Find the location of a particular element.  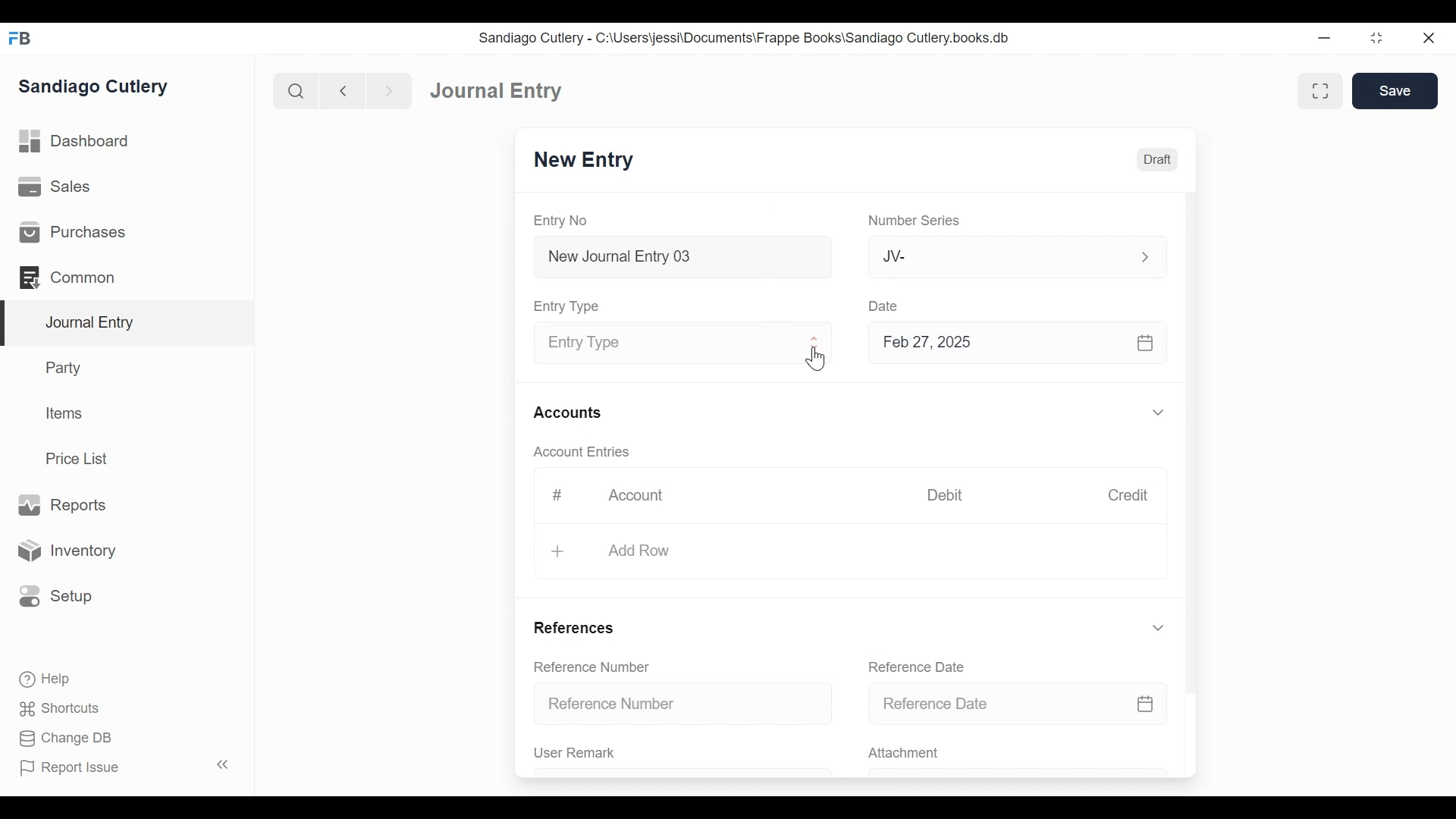

# is located at coordinates (558, 494).